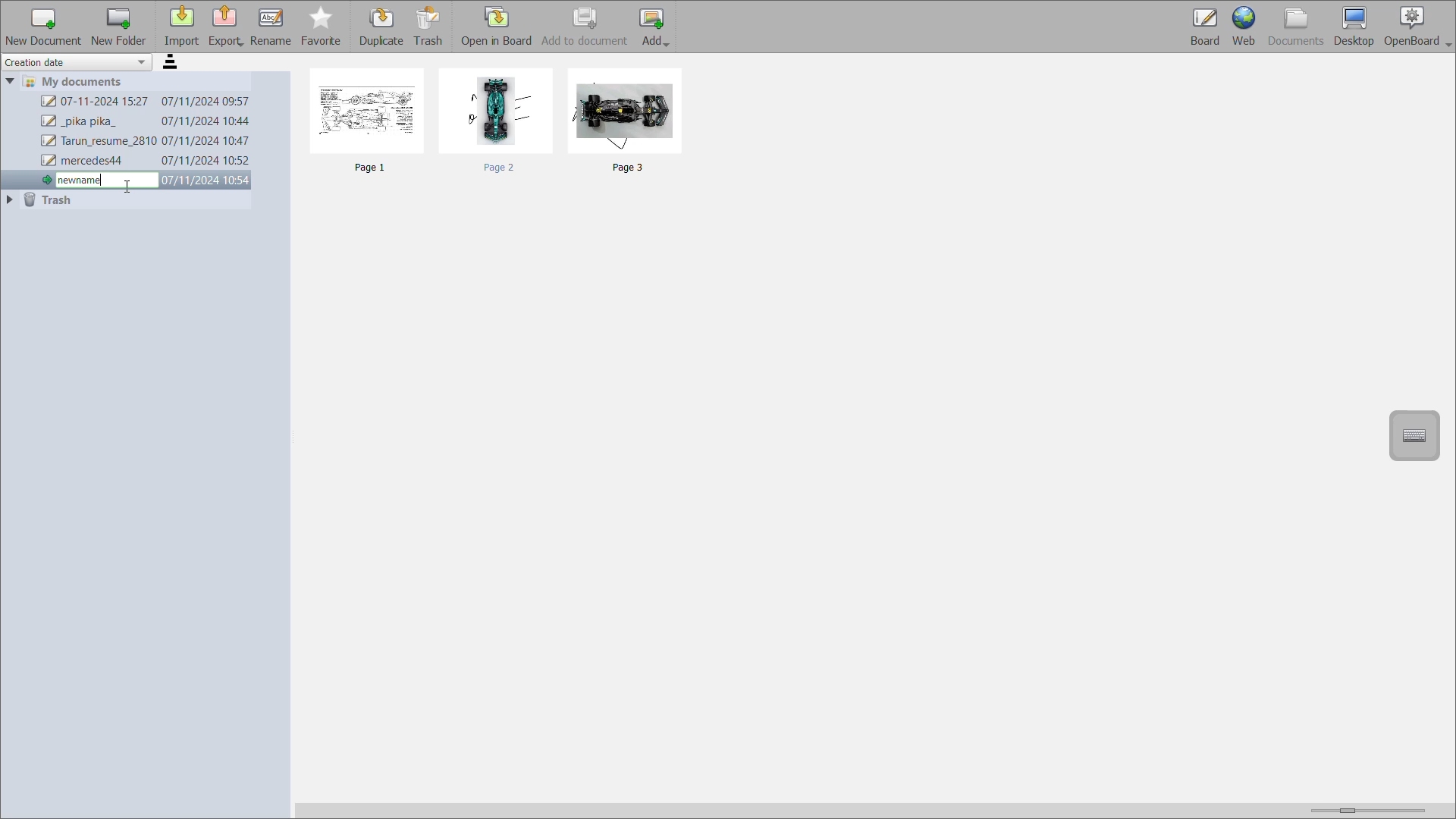 This screenshot has width=1456, height=819. What do you see at coordinates (322, 28) in the screenshot?
I see `favourite` at bounding box center [322, 28].